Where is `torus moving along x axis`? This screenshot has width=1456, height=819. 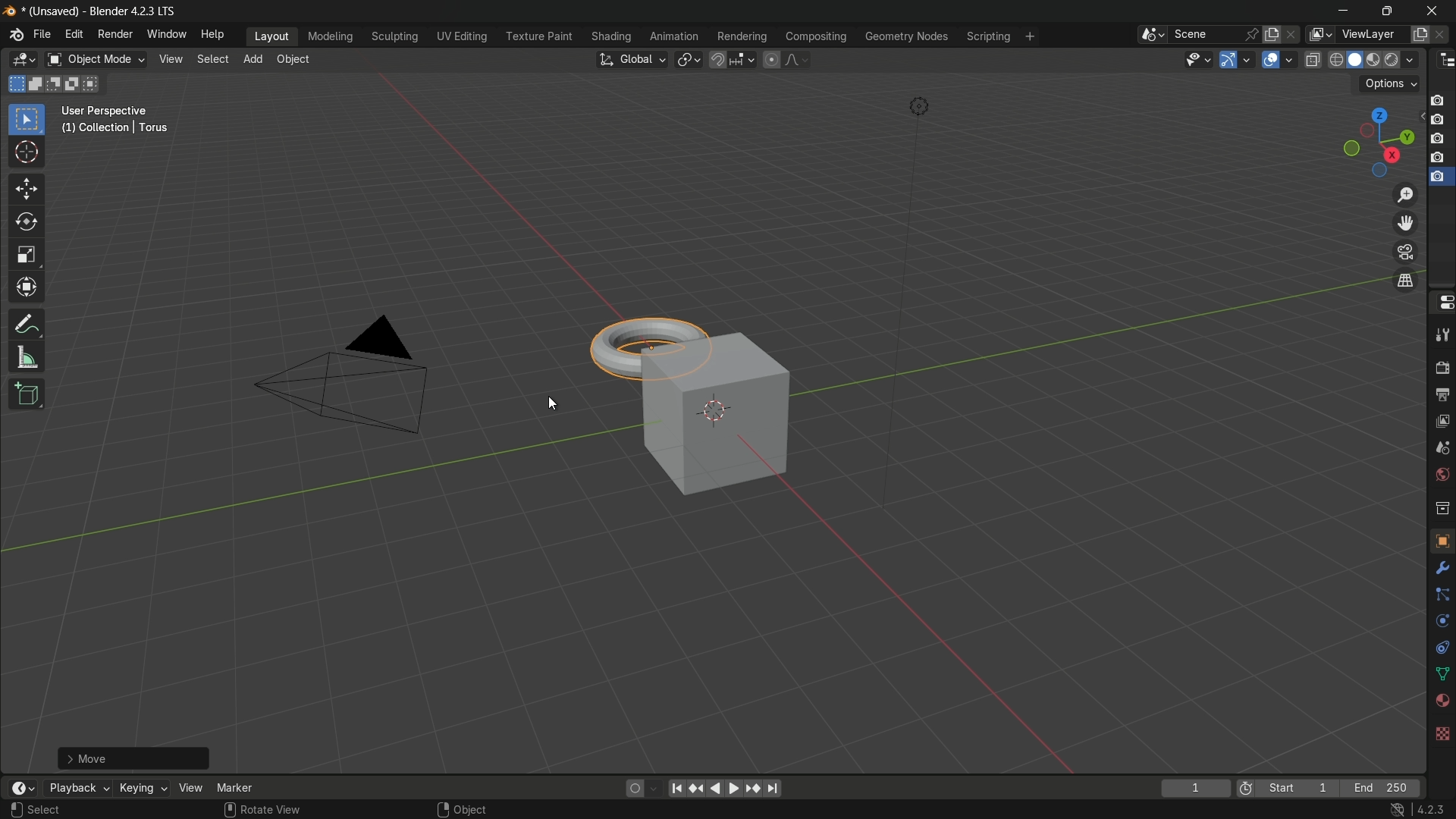 torus moving along x axis is located at coordinates (645, 346).